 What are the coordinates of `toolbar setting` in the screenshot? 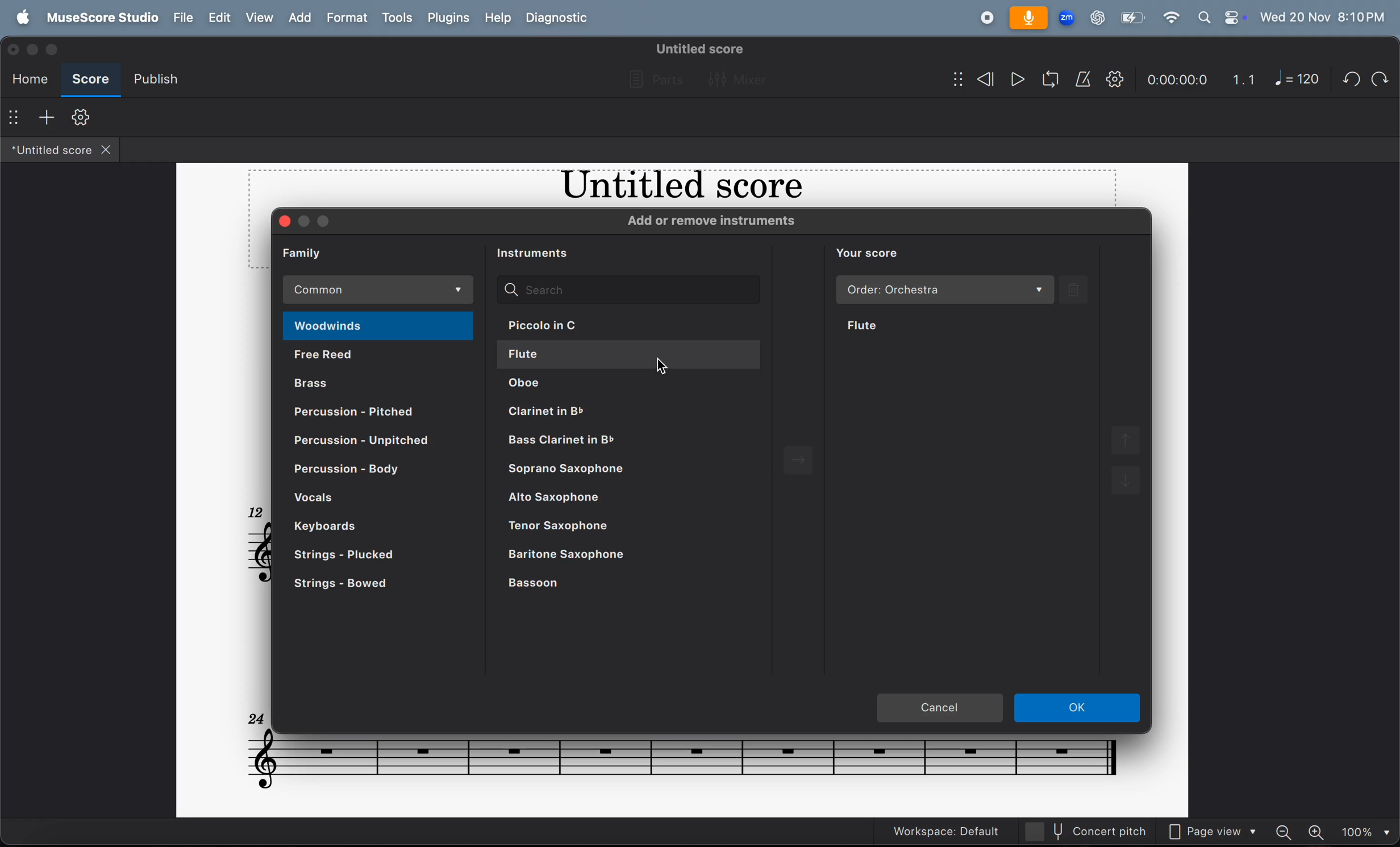 It's located at (81, 117).